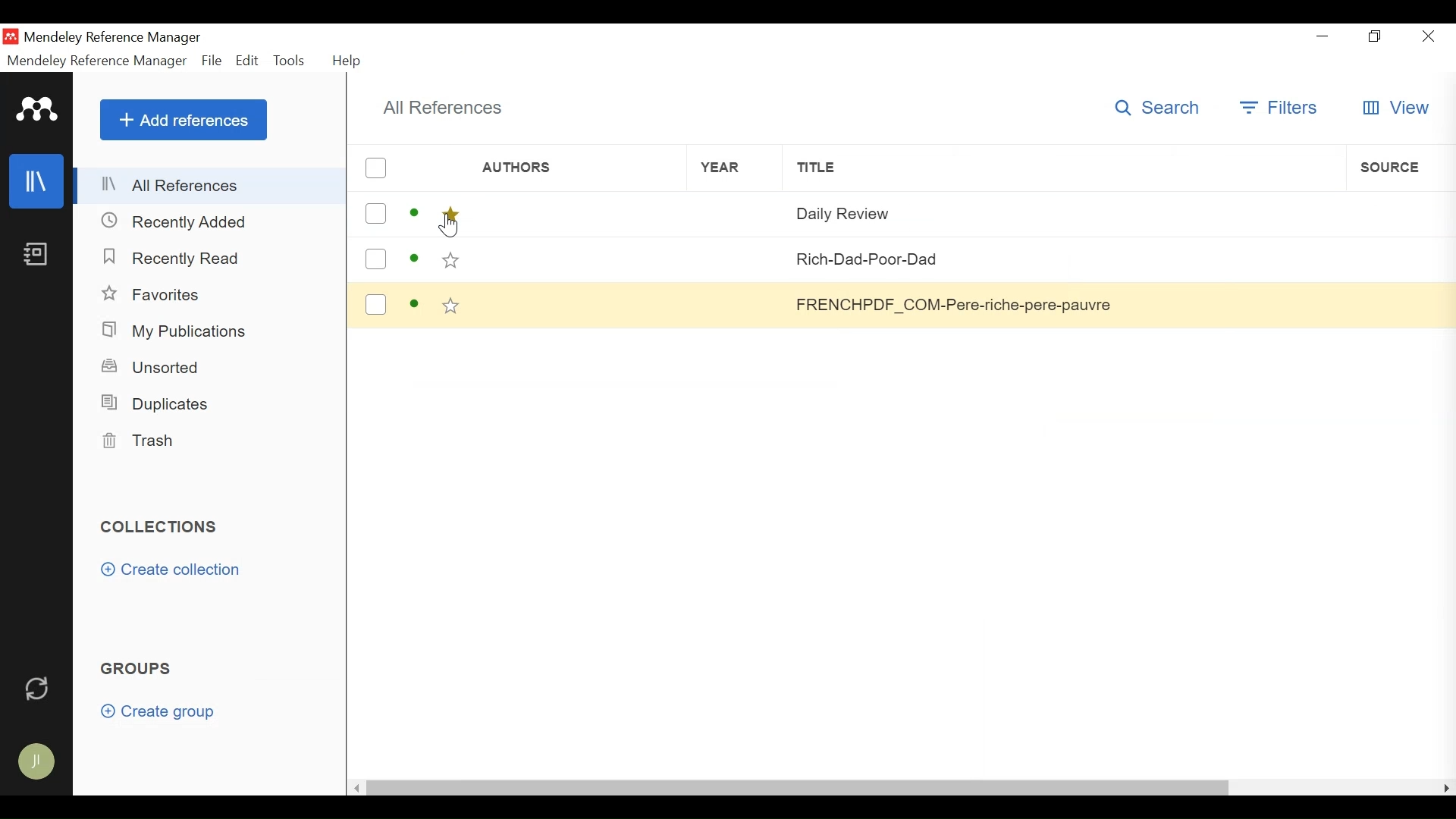 This screenshot has height=819, width=1456. I want to click on Mendeley Reference Manager, so click(115, 38).